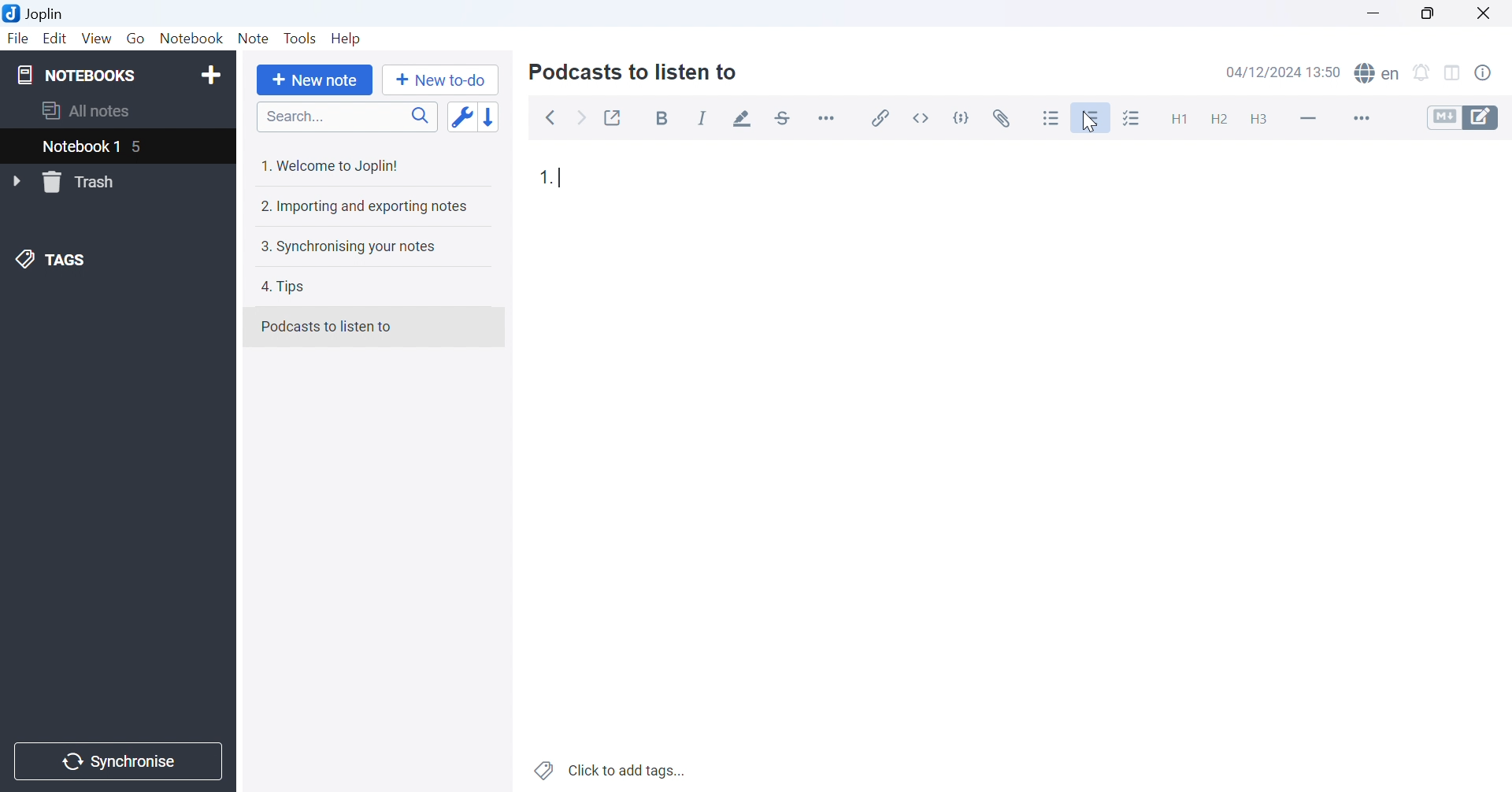 The height and width of the screenshot is (792, 1512). I want to click on Italic, so click(702, 119).